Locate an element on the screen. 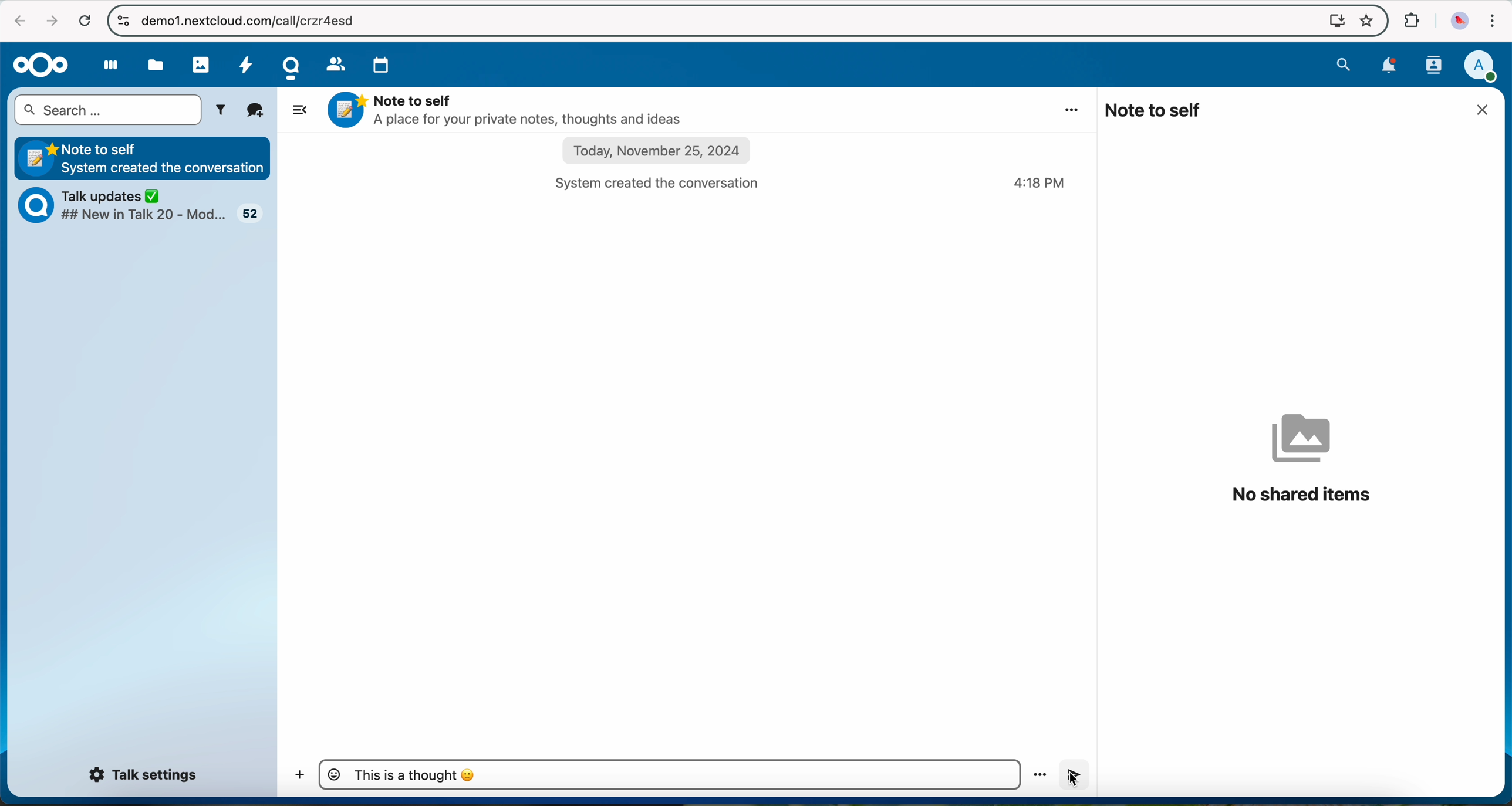 The width and height of the screenshot is (1512, 806). note to self is located at coordinates (1155, 110).